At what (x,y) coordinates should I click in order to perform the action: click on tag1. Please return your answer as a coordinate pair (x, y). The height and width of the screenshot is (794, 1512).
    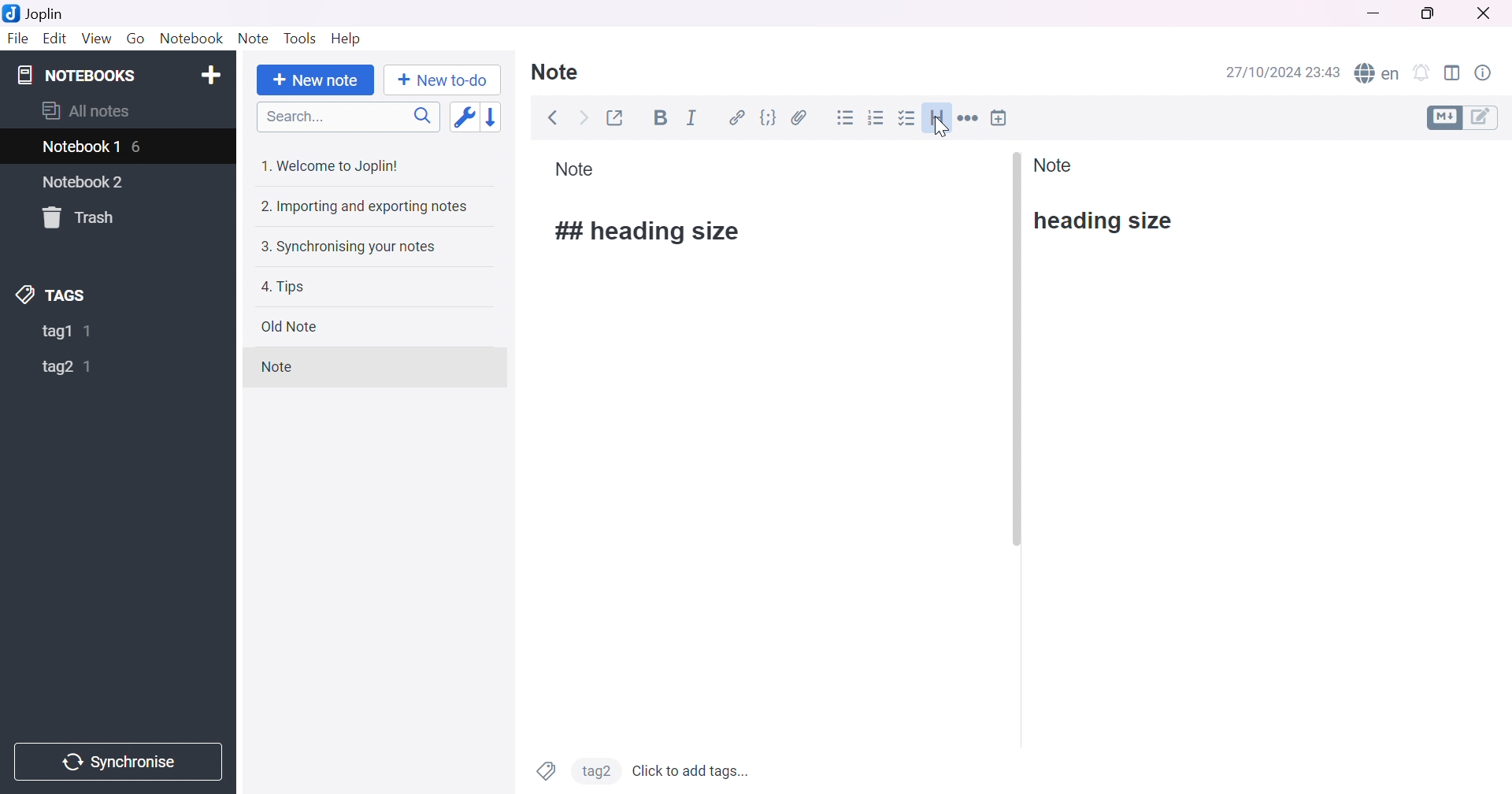
    Looking at the image, I should click on (56, 332).